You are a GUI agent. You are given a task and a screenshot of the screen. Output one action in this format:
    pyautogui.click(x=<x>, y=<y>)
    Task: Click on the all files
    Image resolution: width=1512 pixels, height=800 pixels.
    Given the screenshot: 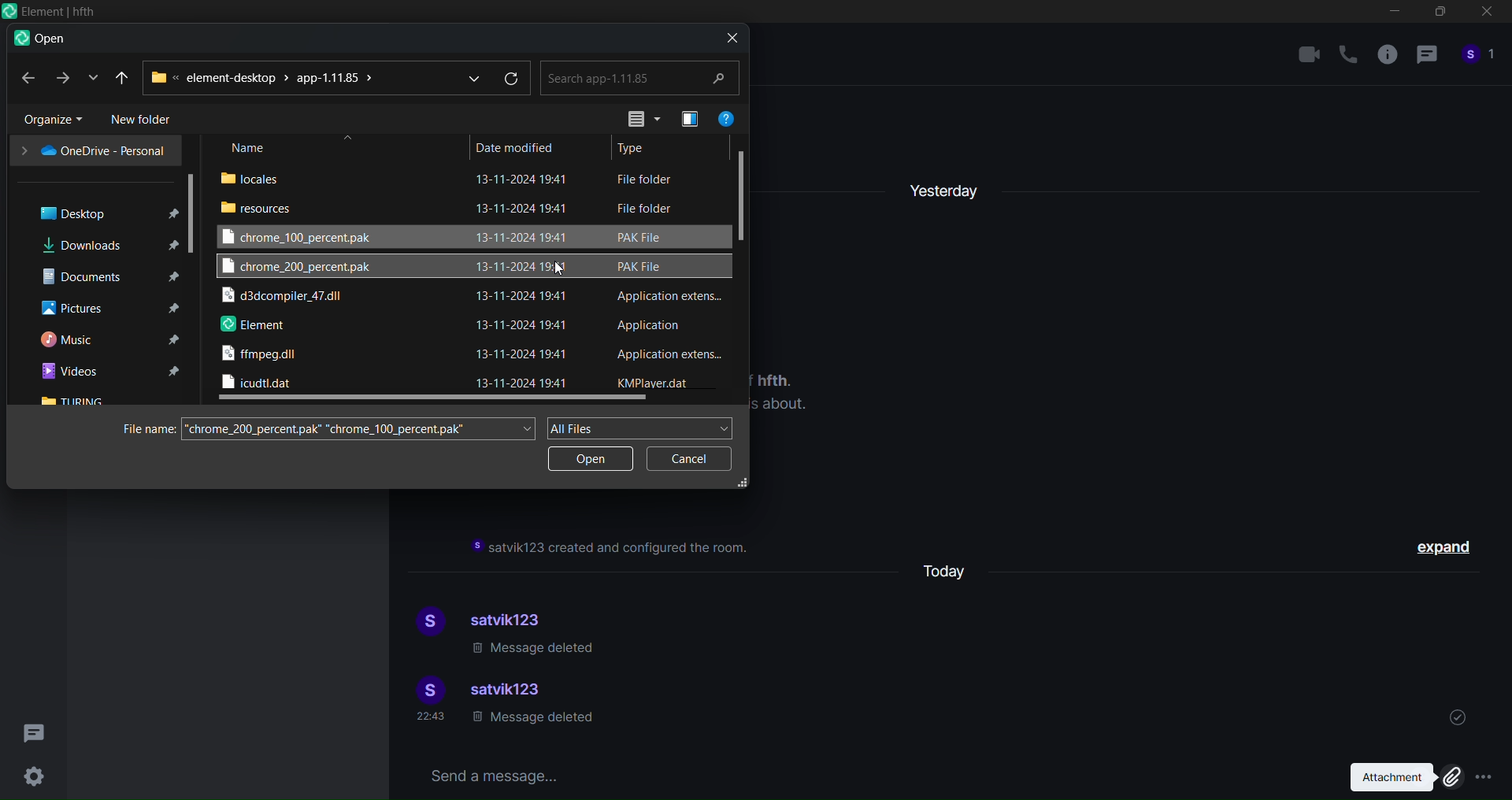 What is the action you would take?
    pyautogui.click(x=643, y=427)
    